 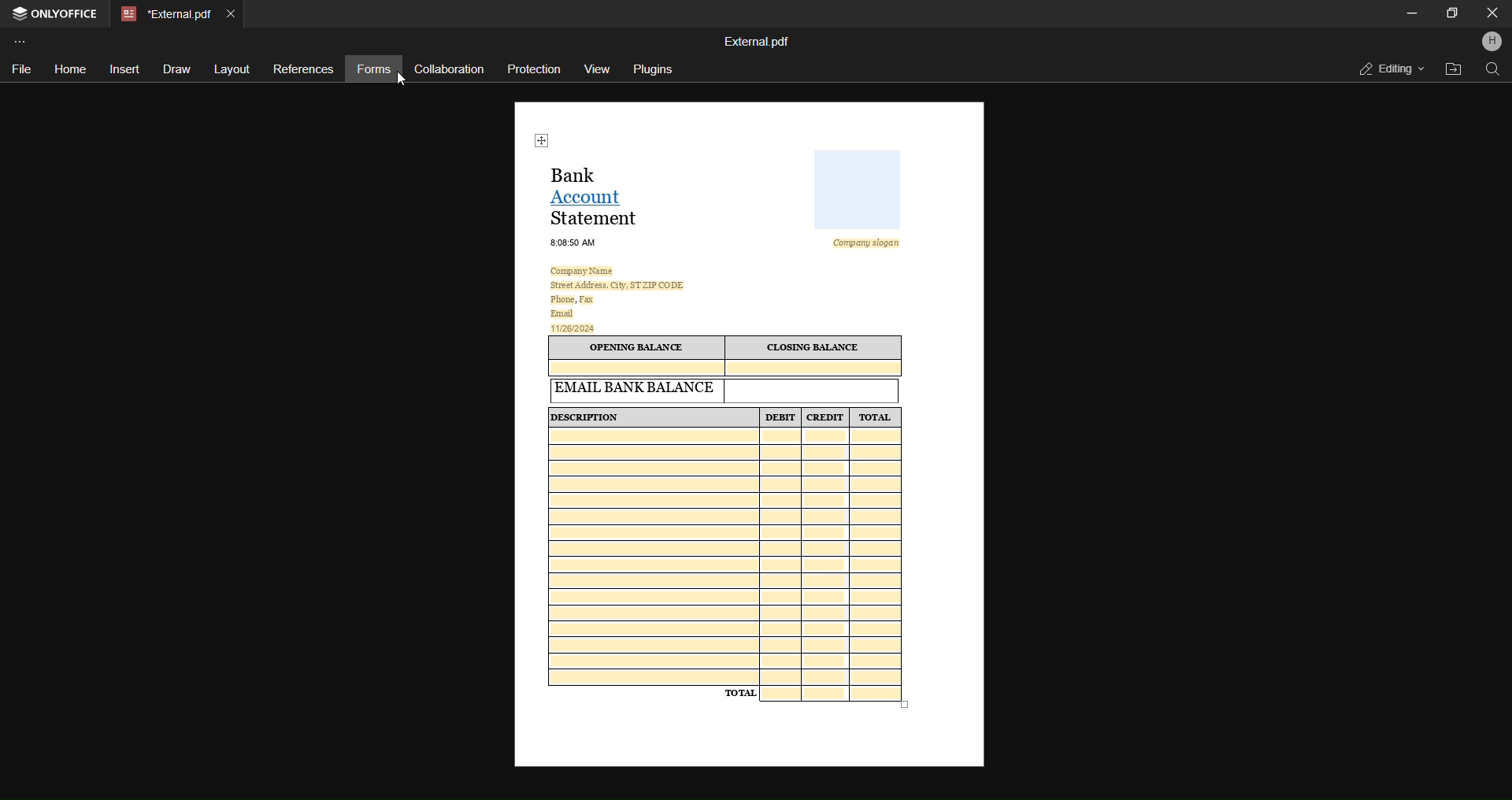 I want to click on find, so click(x=1491, y=72).